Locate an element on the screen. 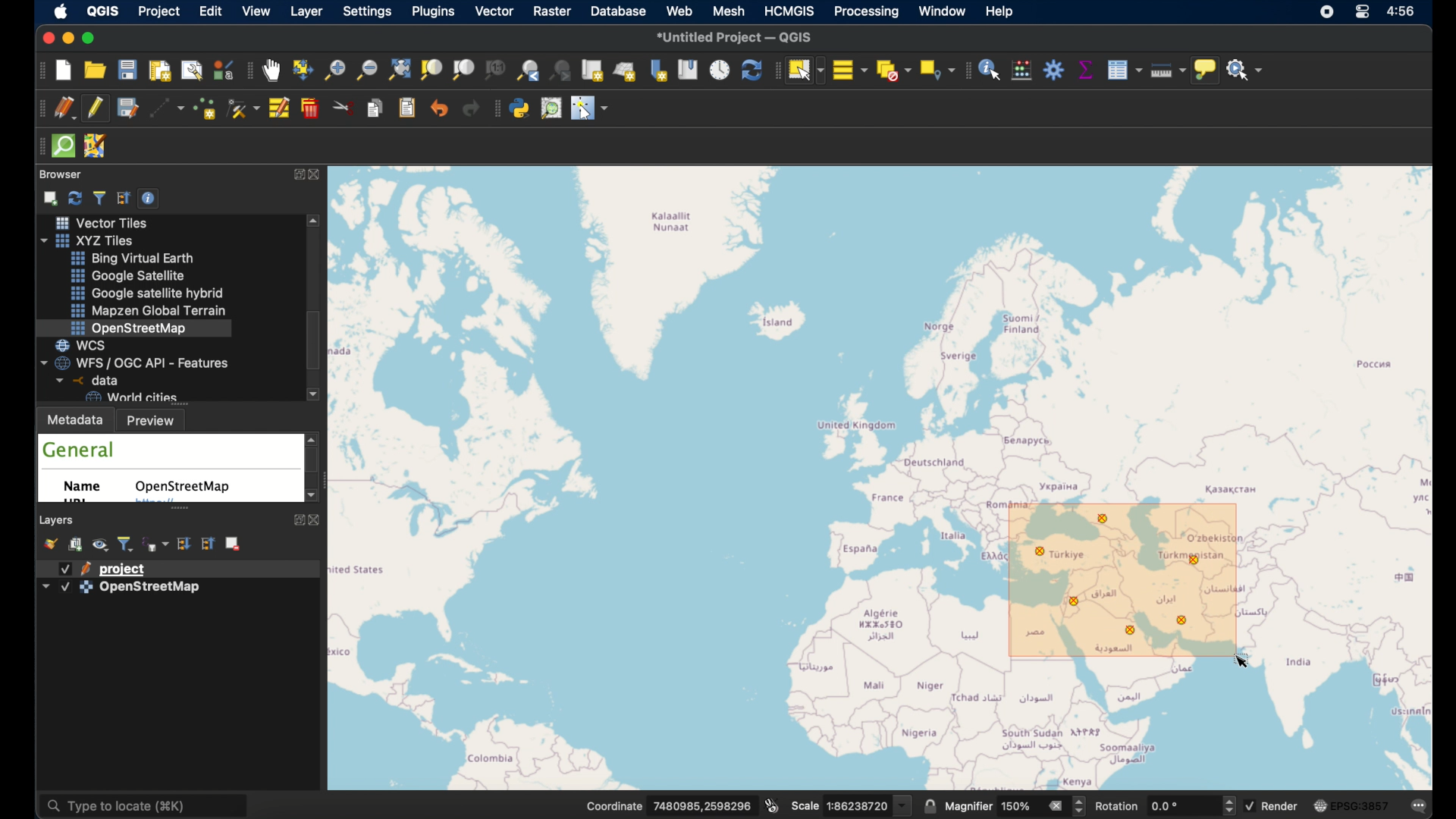 Image resolution: width=1456 pixels, height=819 pixels. pan tool is located at coordinates (271, 71).